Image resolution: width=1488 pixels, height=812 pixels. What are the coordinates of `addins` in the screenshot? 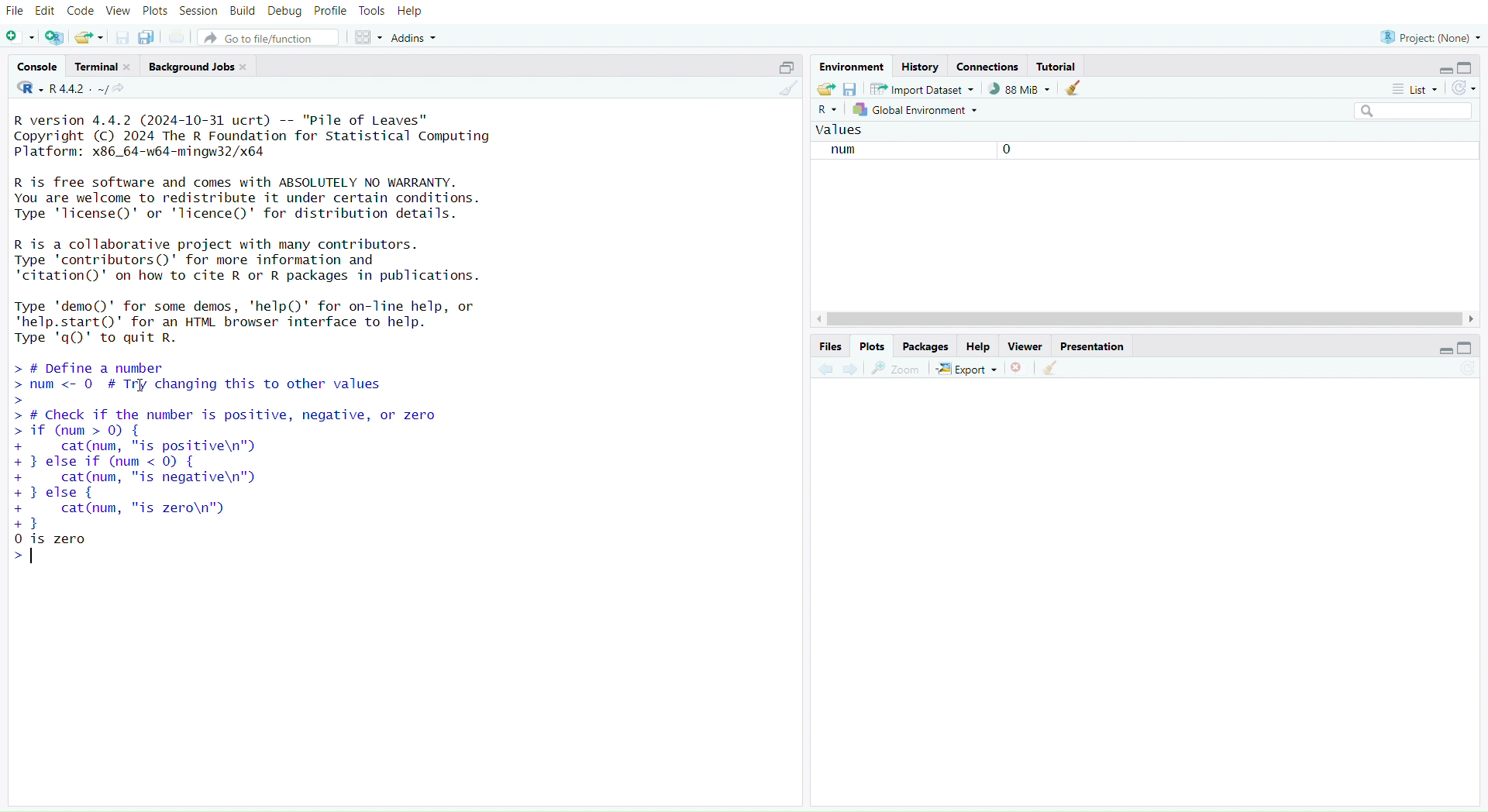 It's located at (418, 38).